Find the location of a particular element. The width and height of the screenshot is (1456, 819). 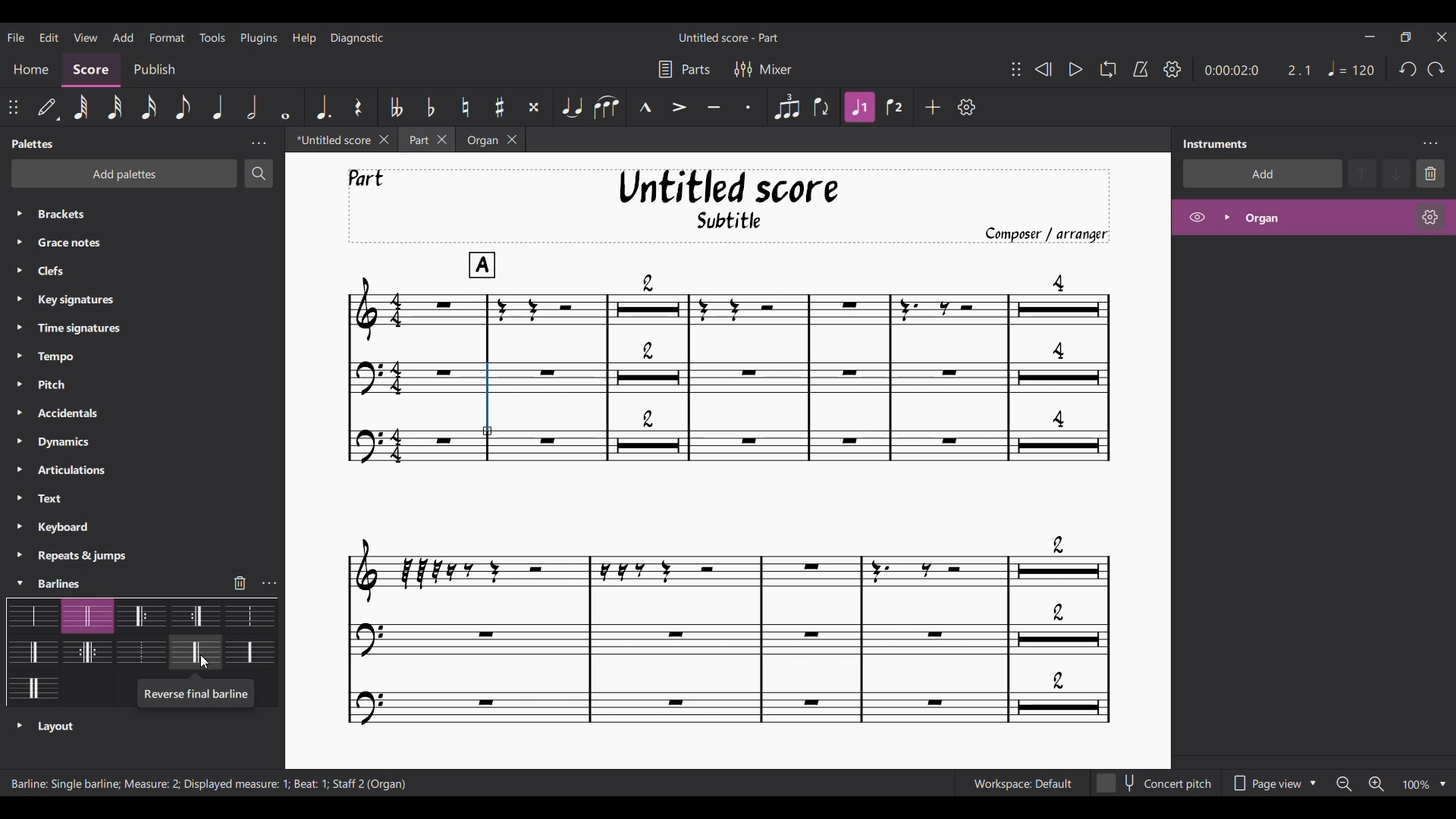

Add palette is located at coordinates (124, 174).